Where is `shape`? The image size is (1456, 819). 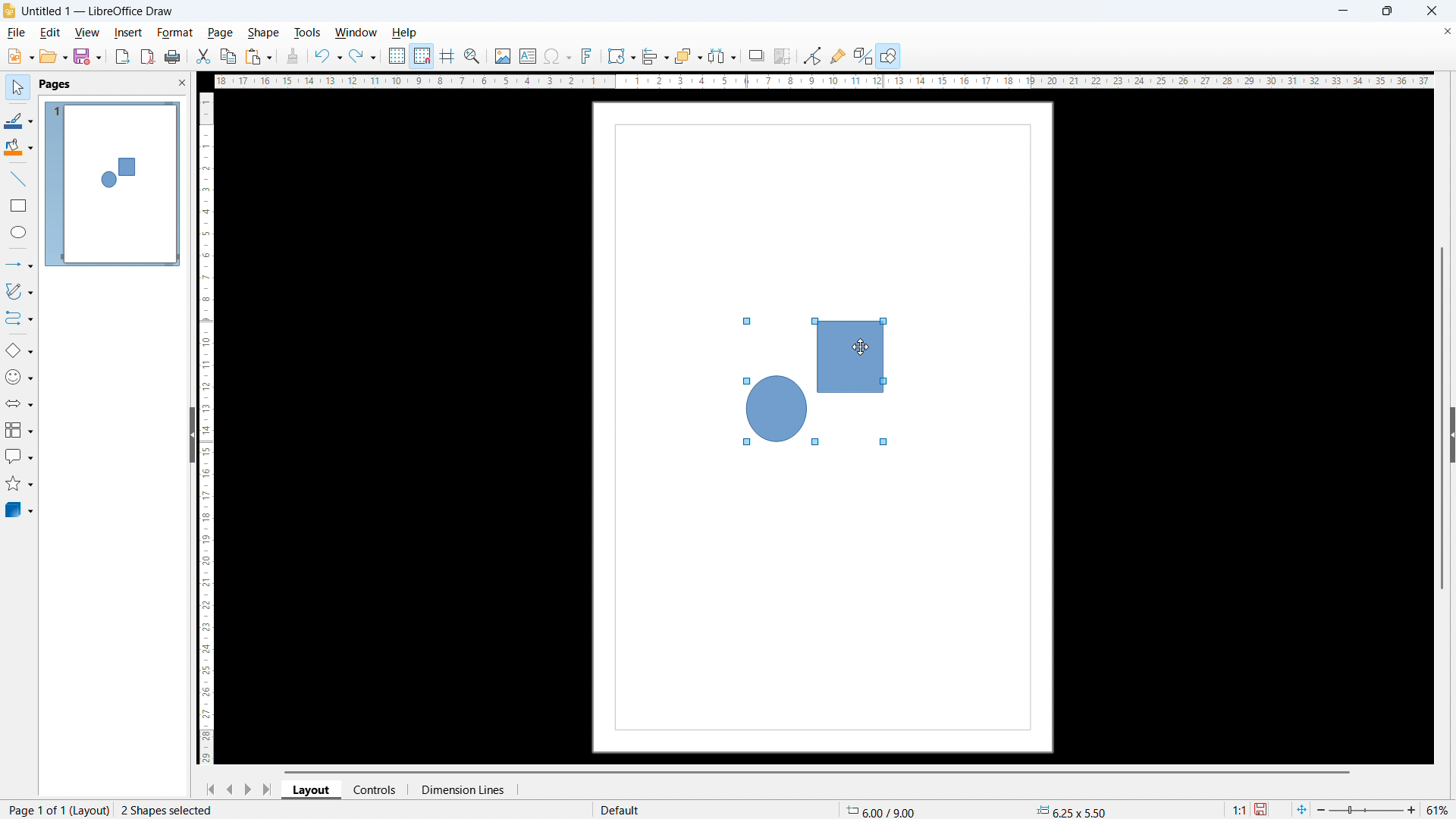 shape is located at coordinates (264, 33).